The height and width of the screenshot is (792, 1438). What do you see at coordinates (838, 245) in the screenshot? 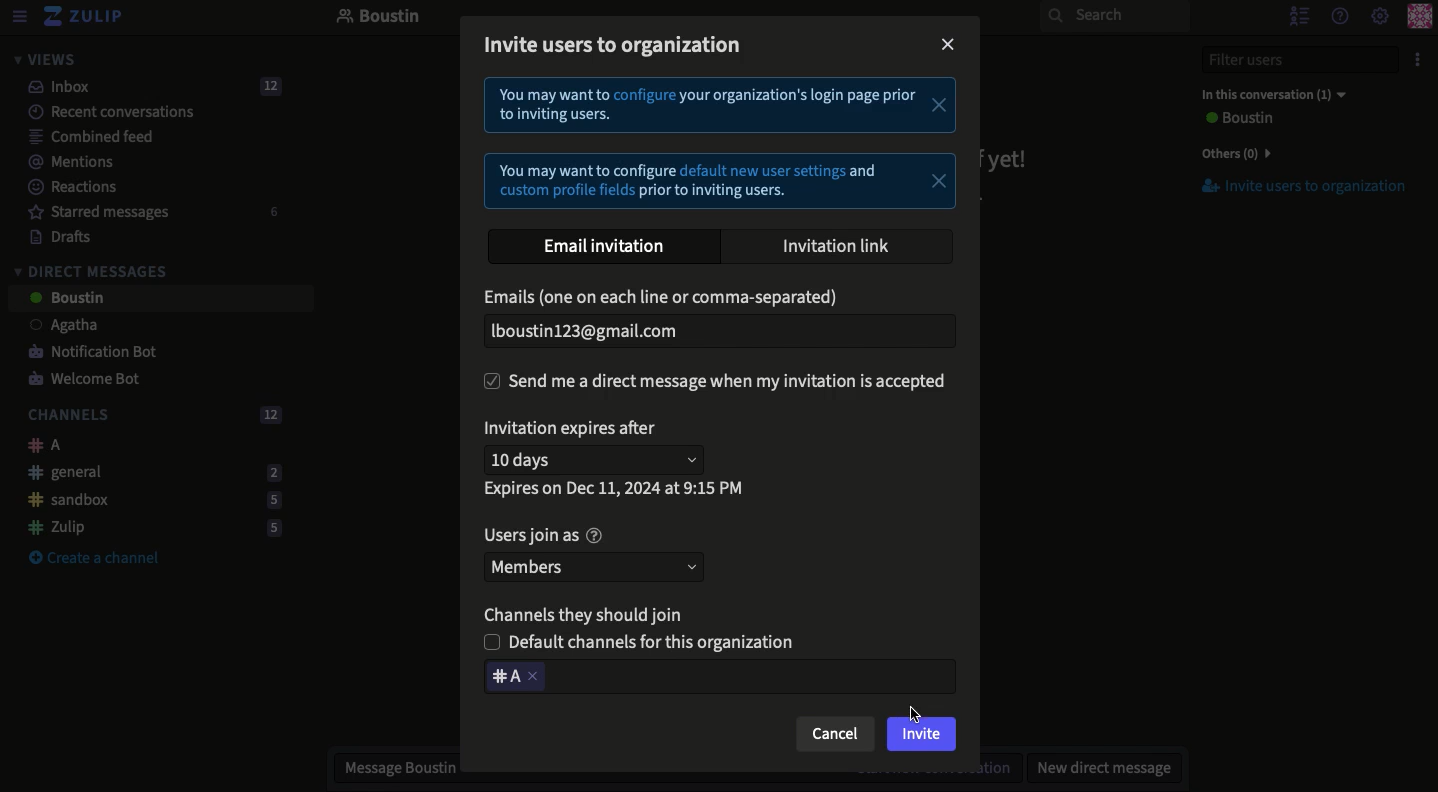
I see `Invitation link` at bounding box center [838, 245].